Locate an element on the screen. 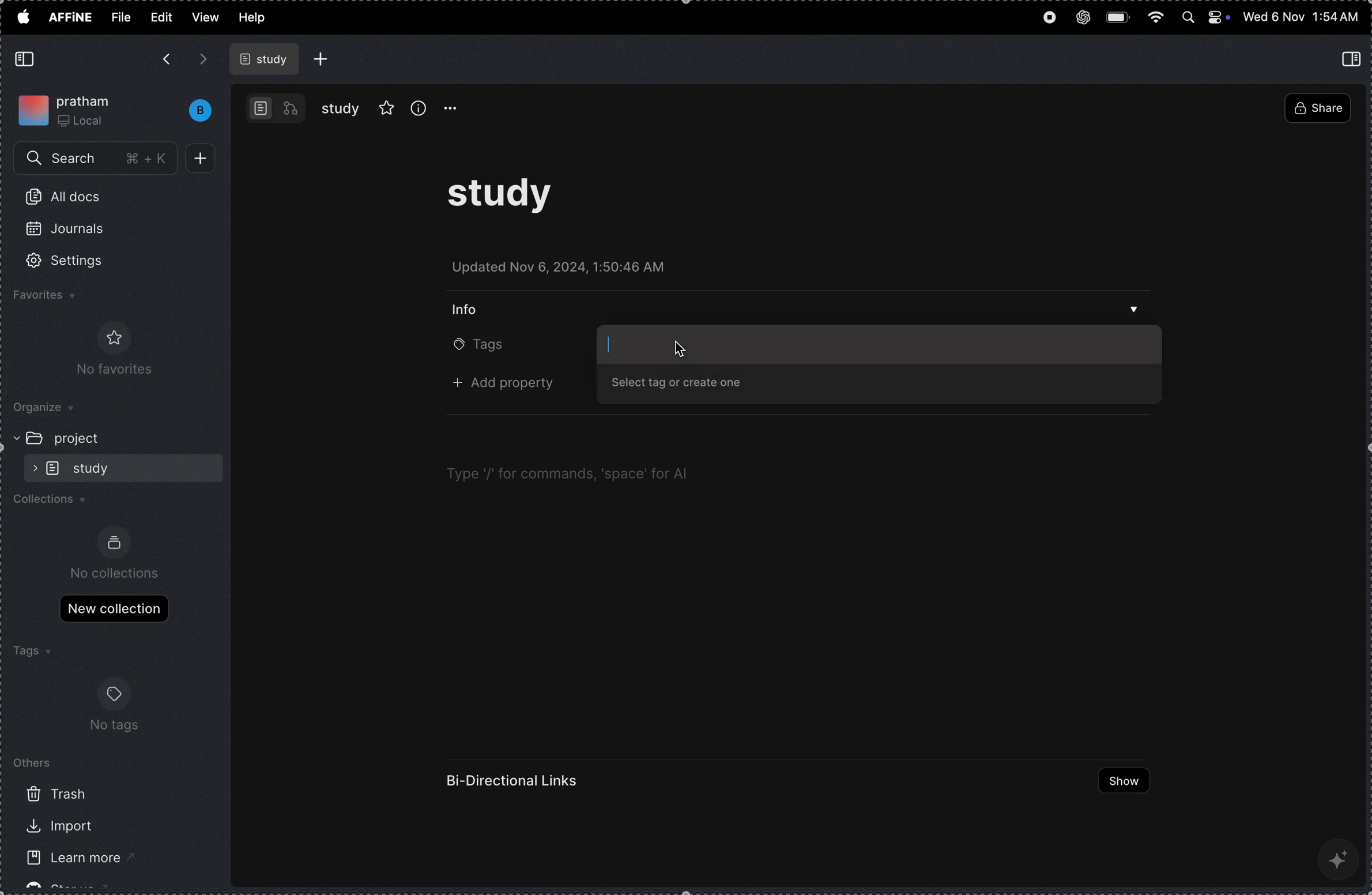  tags is located at coordinates (480, 347).